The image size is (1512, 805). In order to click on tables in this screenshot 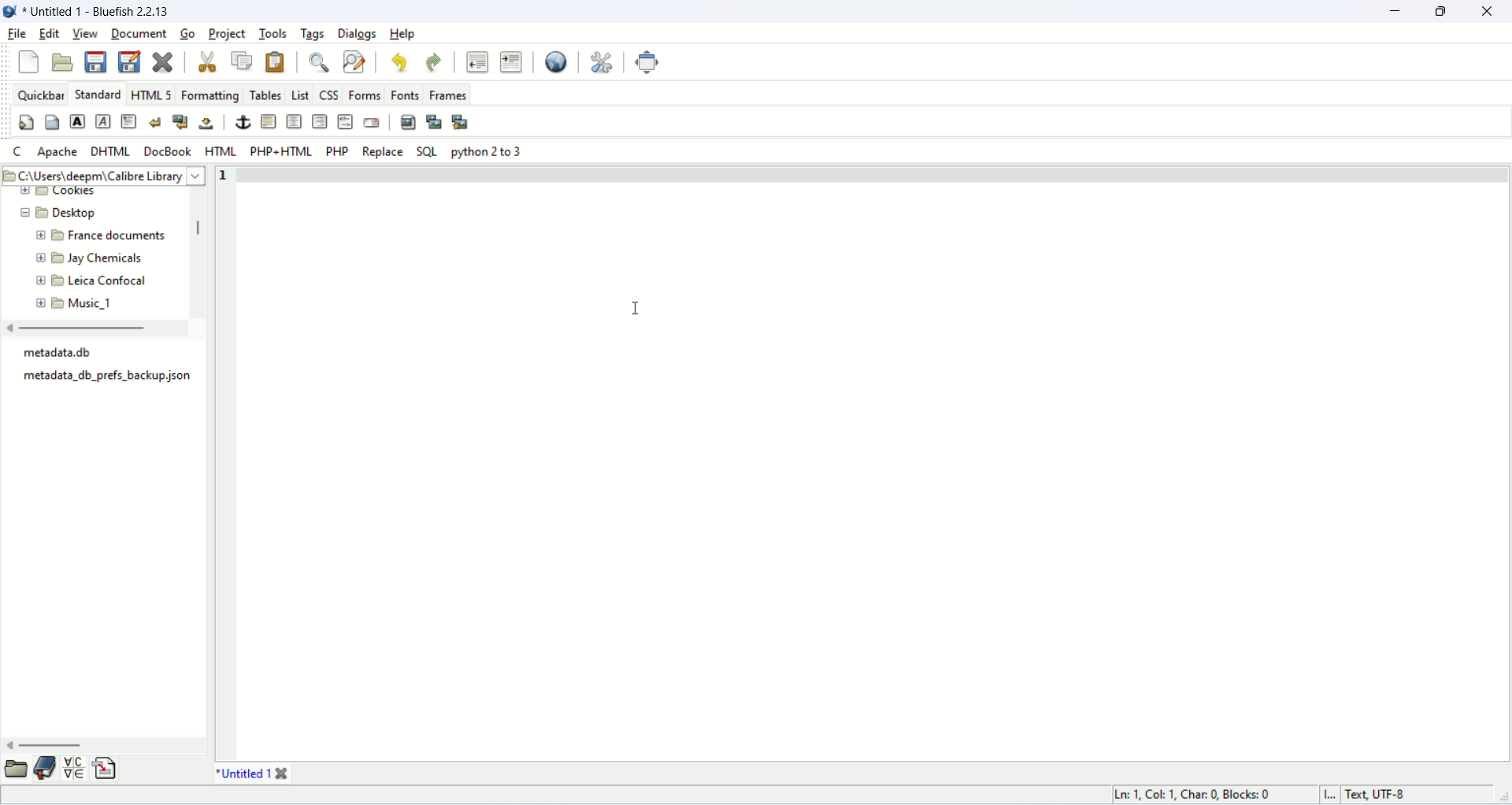, I will do `click(264, 95)`.